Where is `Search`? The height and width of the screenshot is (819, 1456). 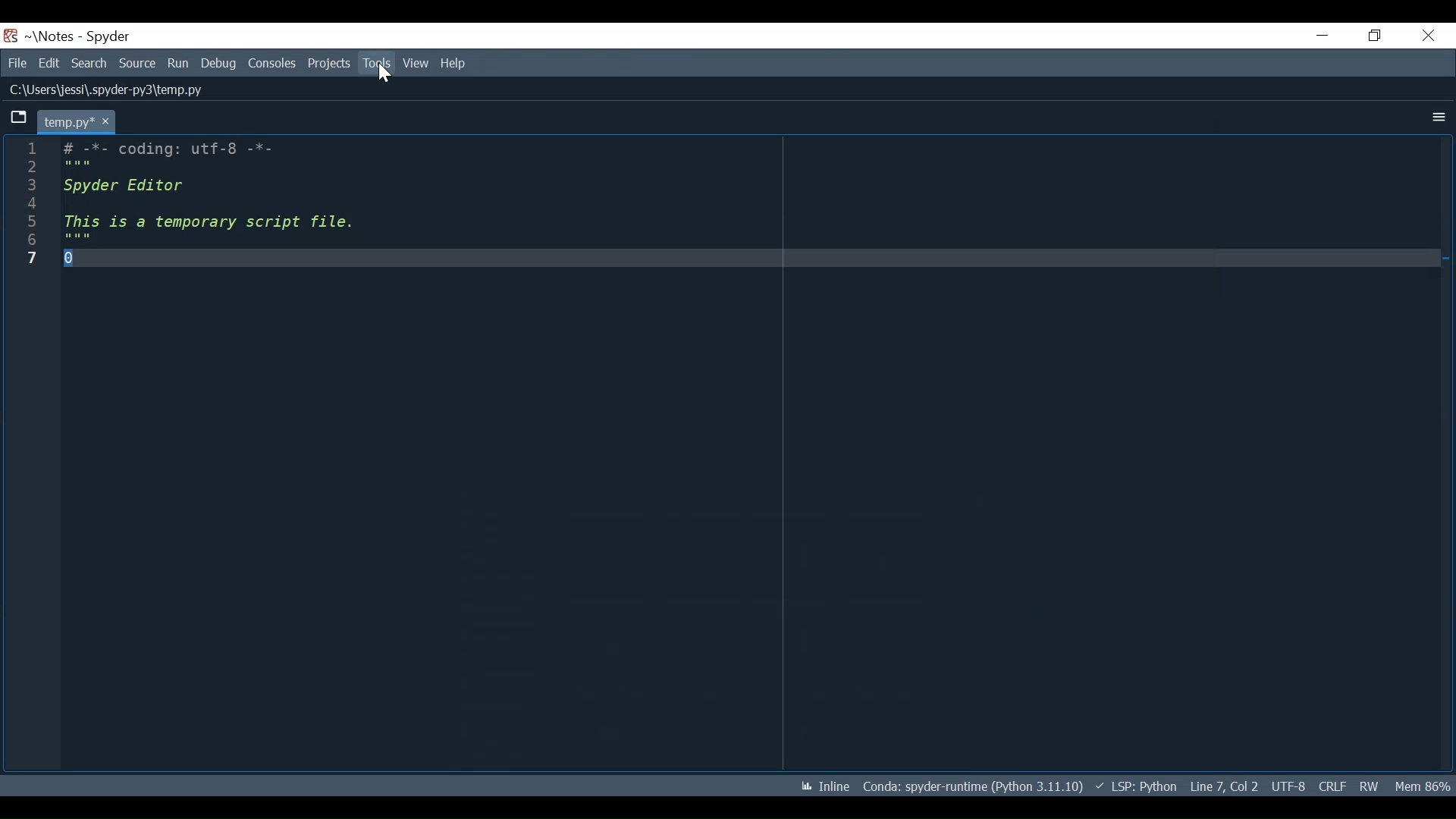 Search is located at coordinates (89, 64).